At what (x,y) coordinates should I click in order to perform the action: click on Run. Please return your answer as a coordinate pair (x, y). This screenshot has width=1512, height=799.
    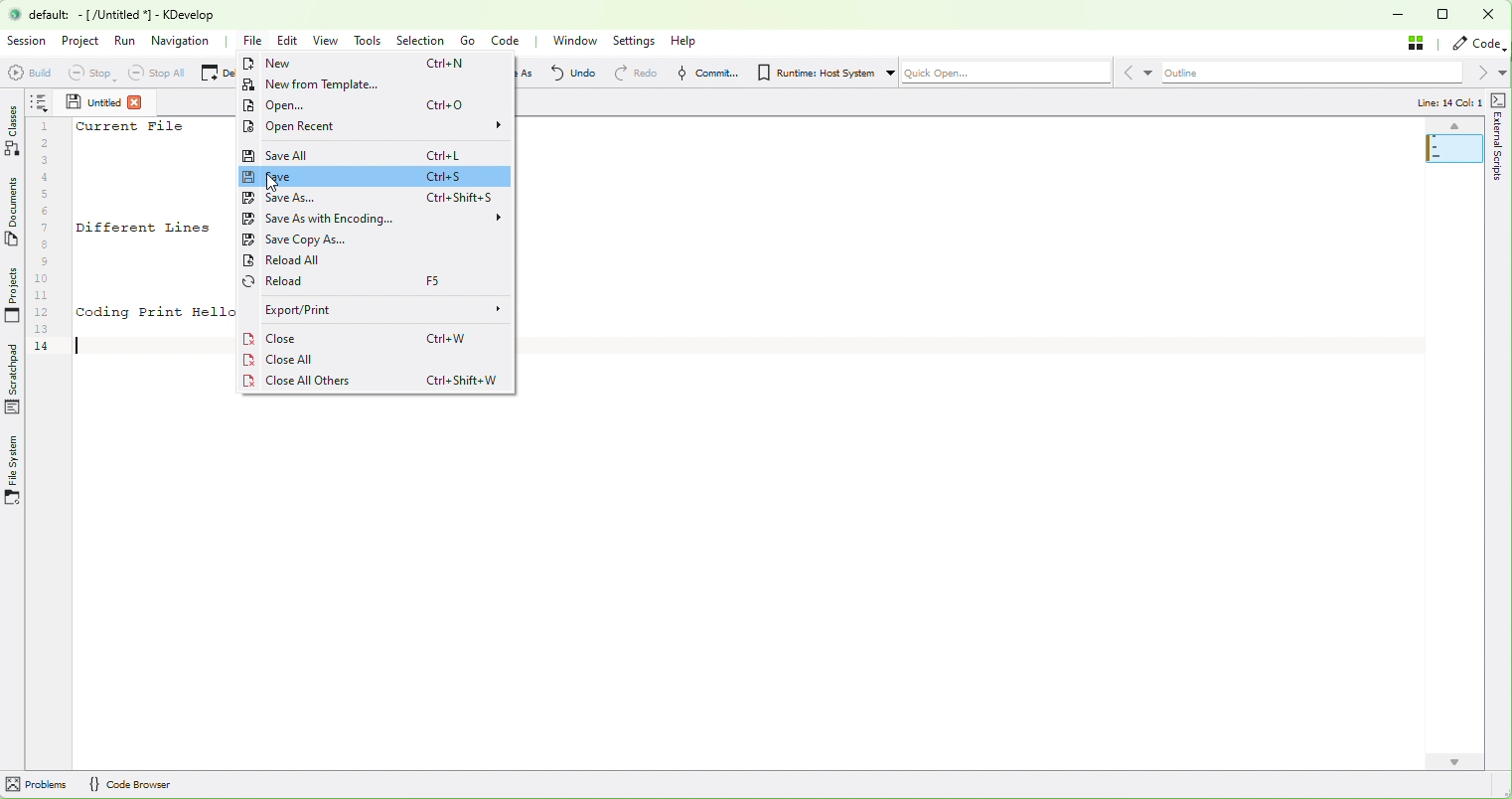
    Looking at the image, I should click on (126, 40).